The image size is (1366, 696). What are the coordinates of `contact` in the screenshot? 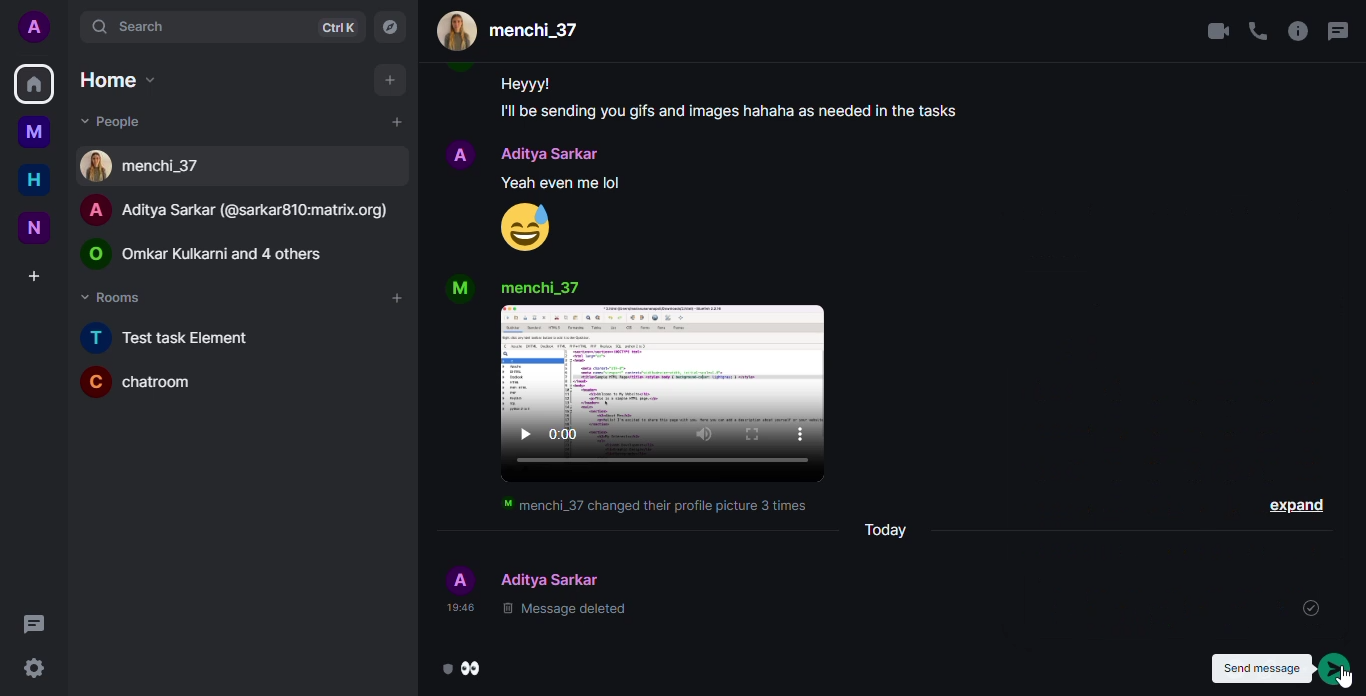 It's located at (147, 166).